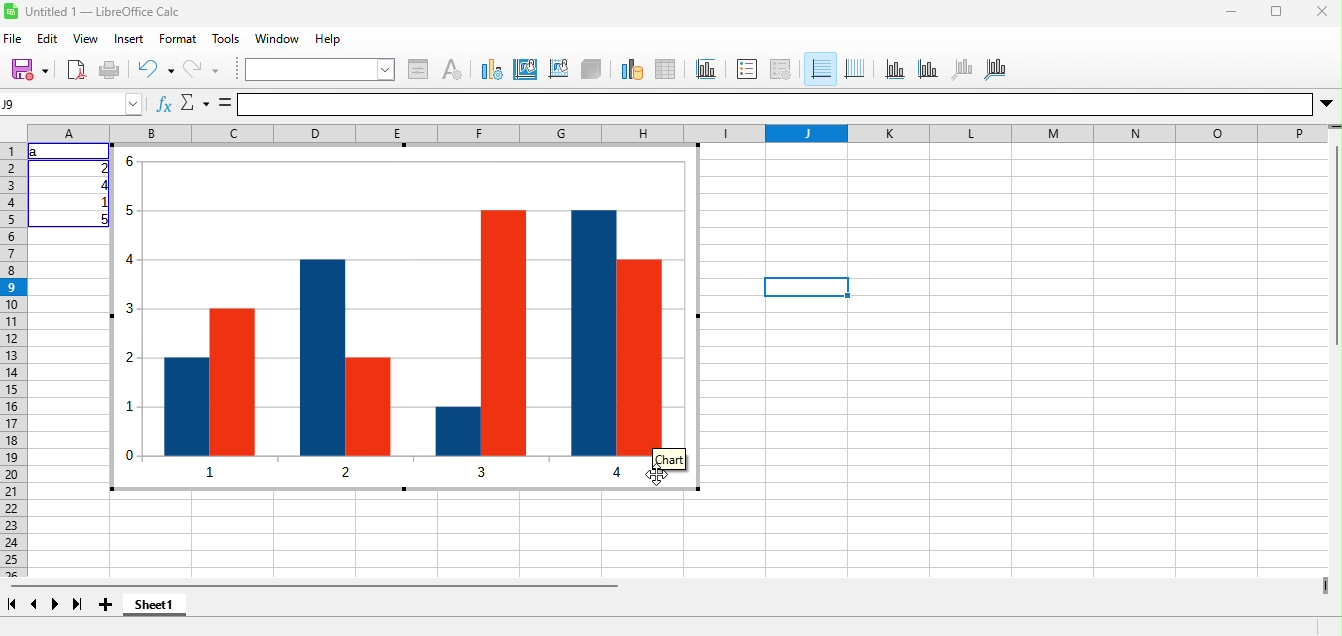  What do you see at coordinates (329, 40) in the screenshot?
I see `help` at bounding box center [329, 40].